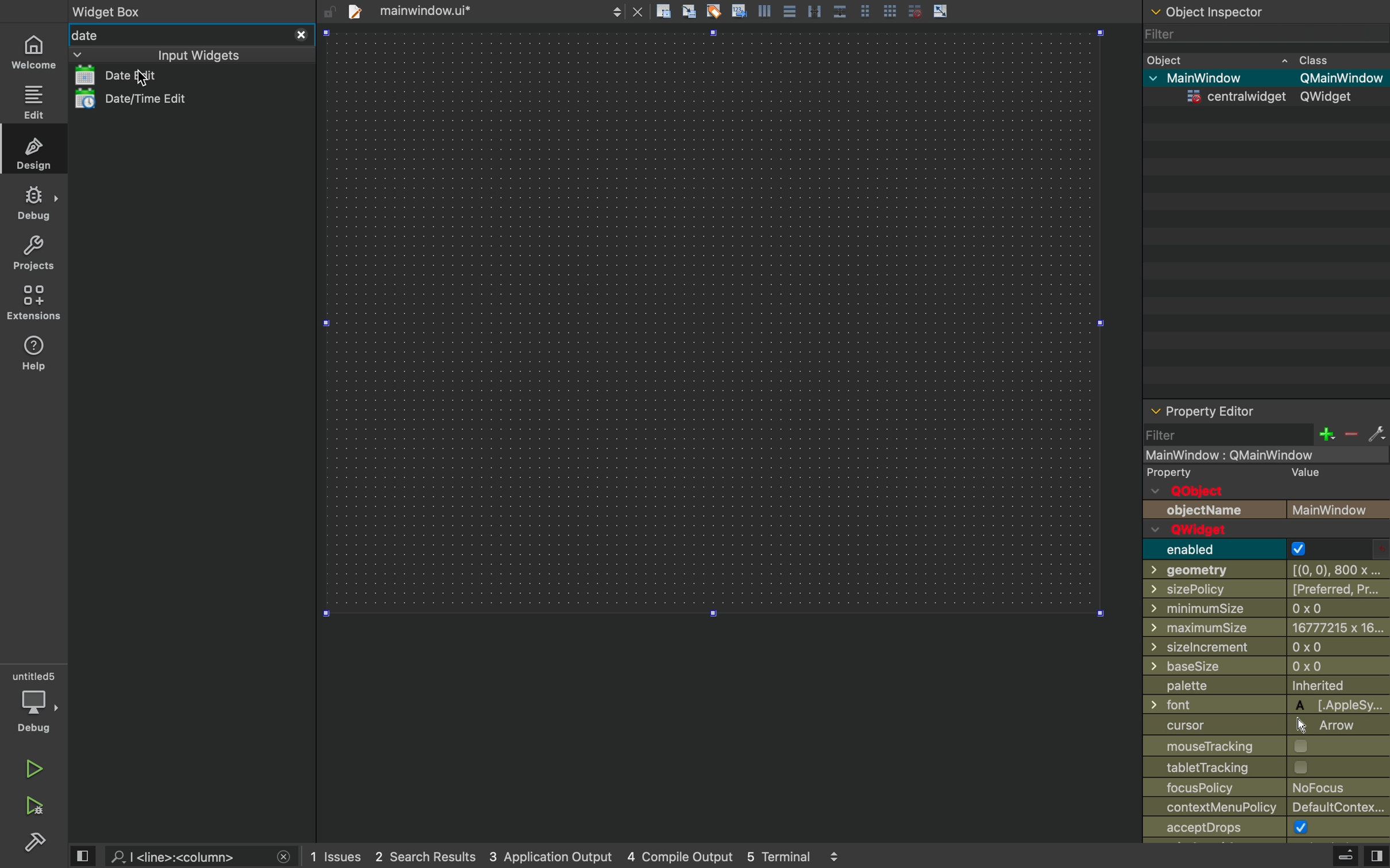  What do you see at coordinates (1266, 629) in the screenshot?
I see `maximumsize` at bounding box center [1266, 629].